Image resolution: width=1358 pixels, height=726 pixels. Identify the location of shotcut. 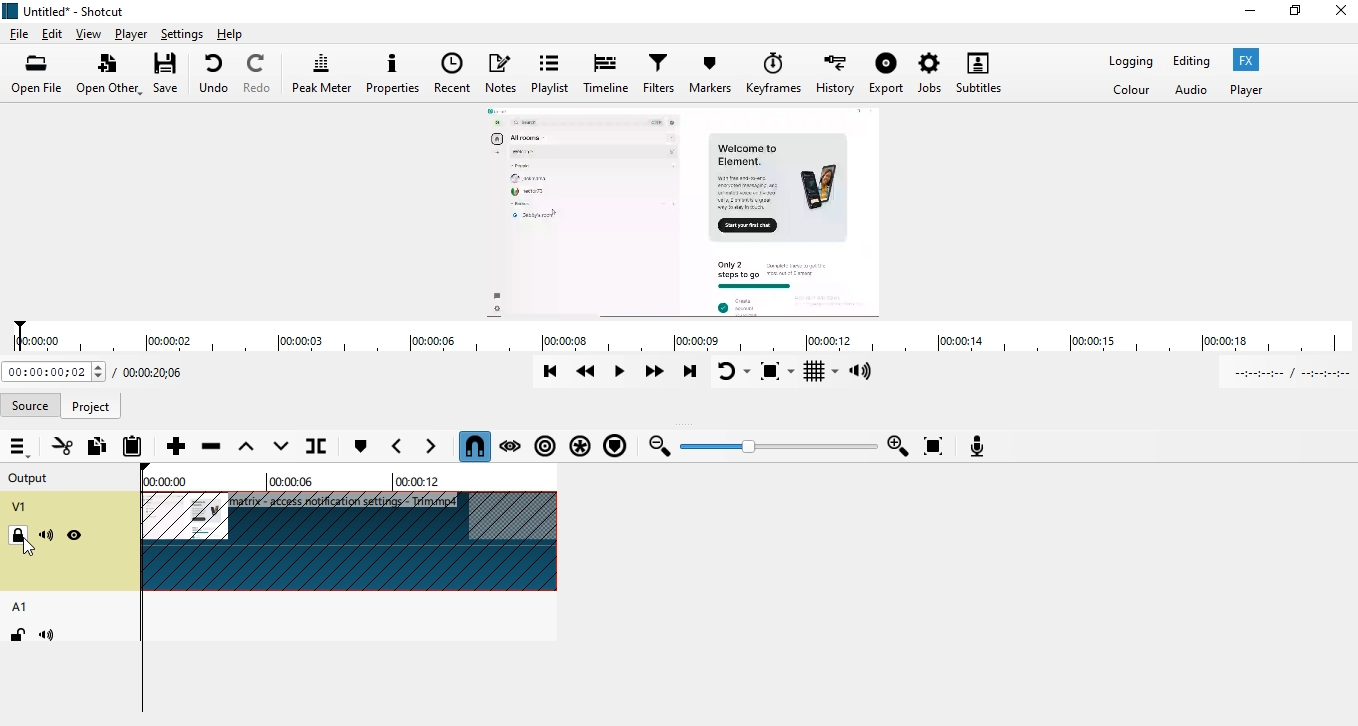
(77, 8).